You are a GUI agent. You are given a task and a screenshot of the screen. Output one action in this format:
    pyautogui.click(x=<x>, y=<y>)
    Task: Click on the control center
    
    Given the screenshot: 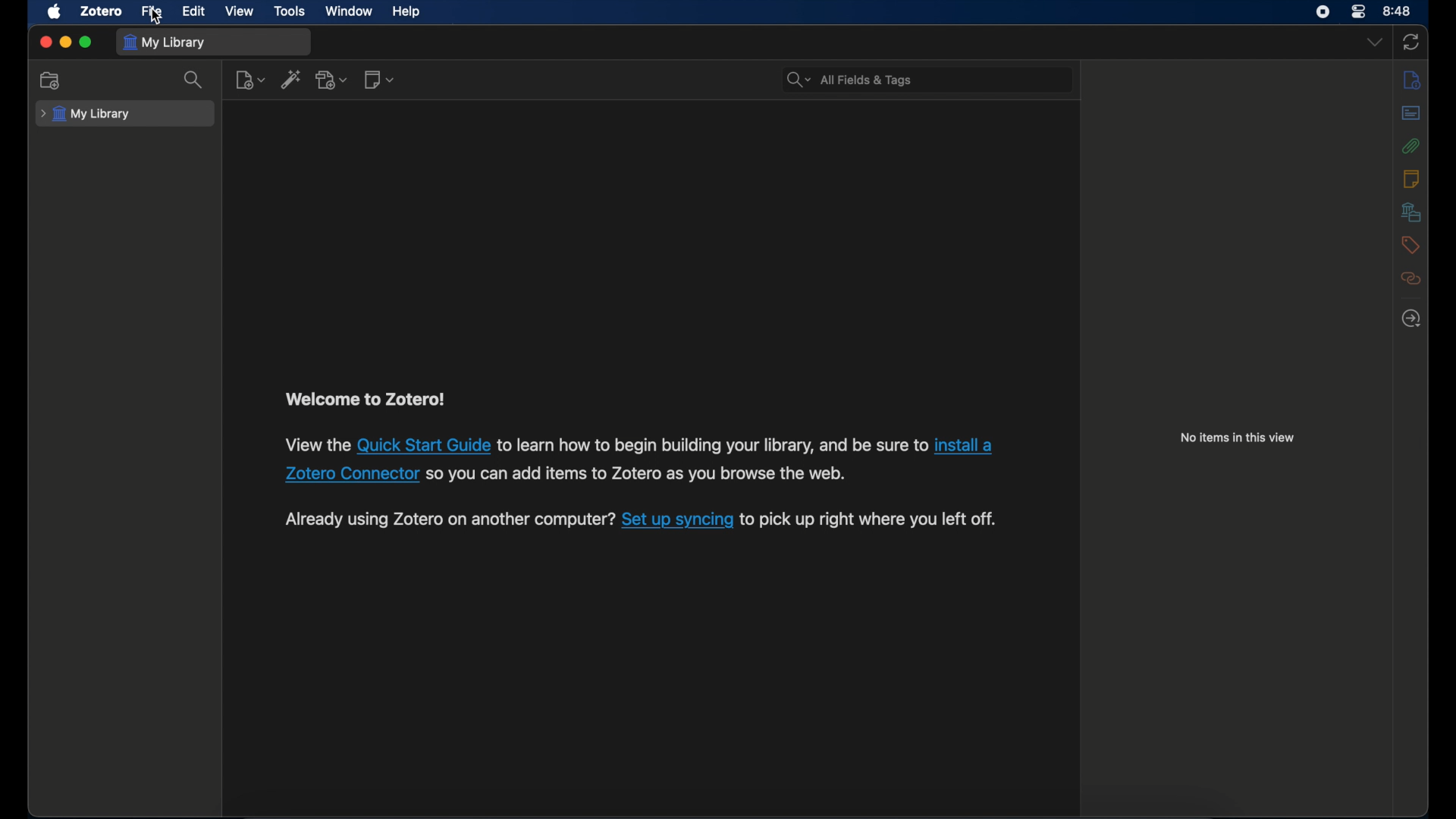 What is the action you would take?
    pyautogui.click(x=1359, y=12)
    